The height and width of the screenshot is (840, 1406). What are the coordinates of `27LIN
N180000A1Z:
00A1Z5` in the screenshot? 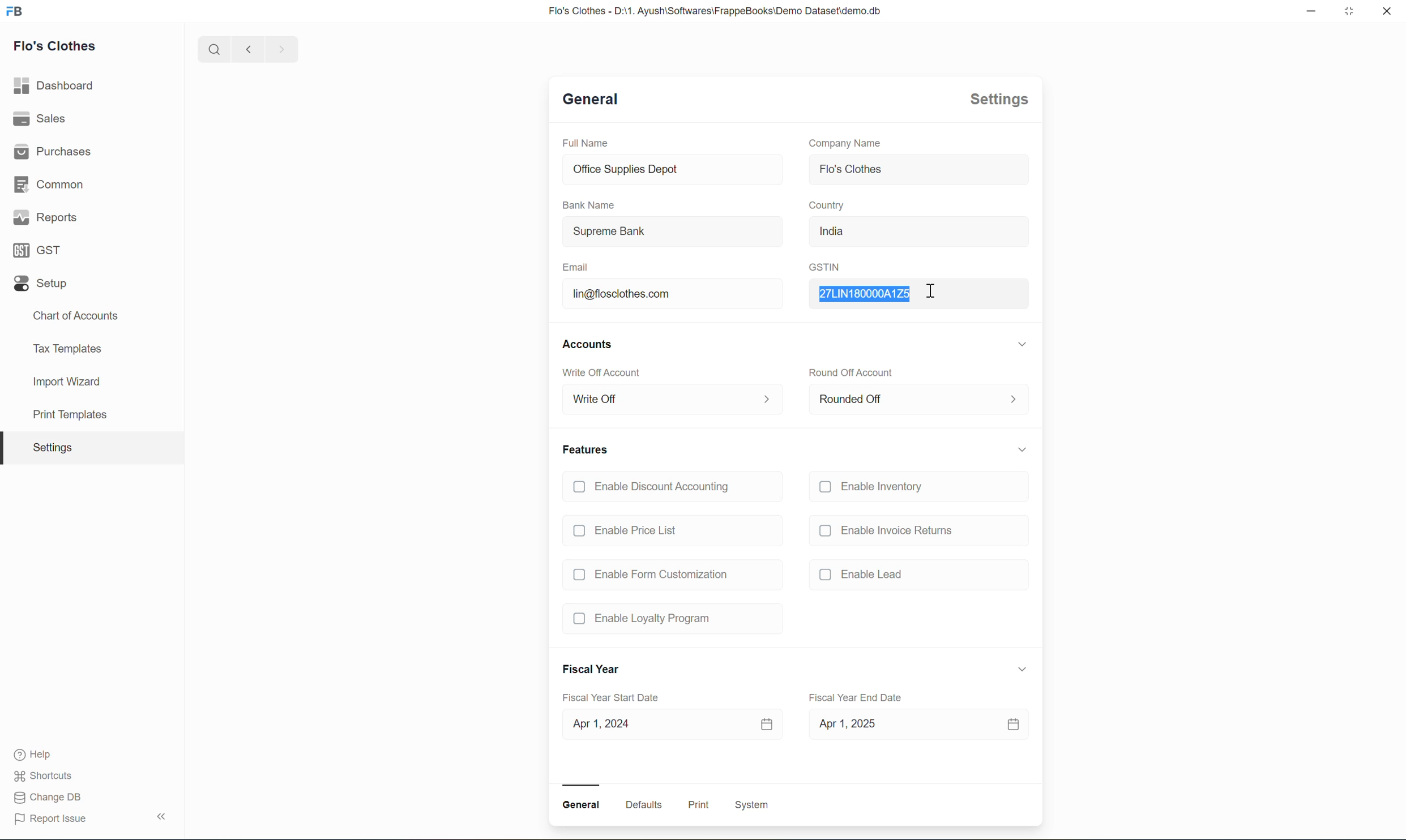 It's located at (918, 293).